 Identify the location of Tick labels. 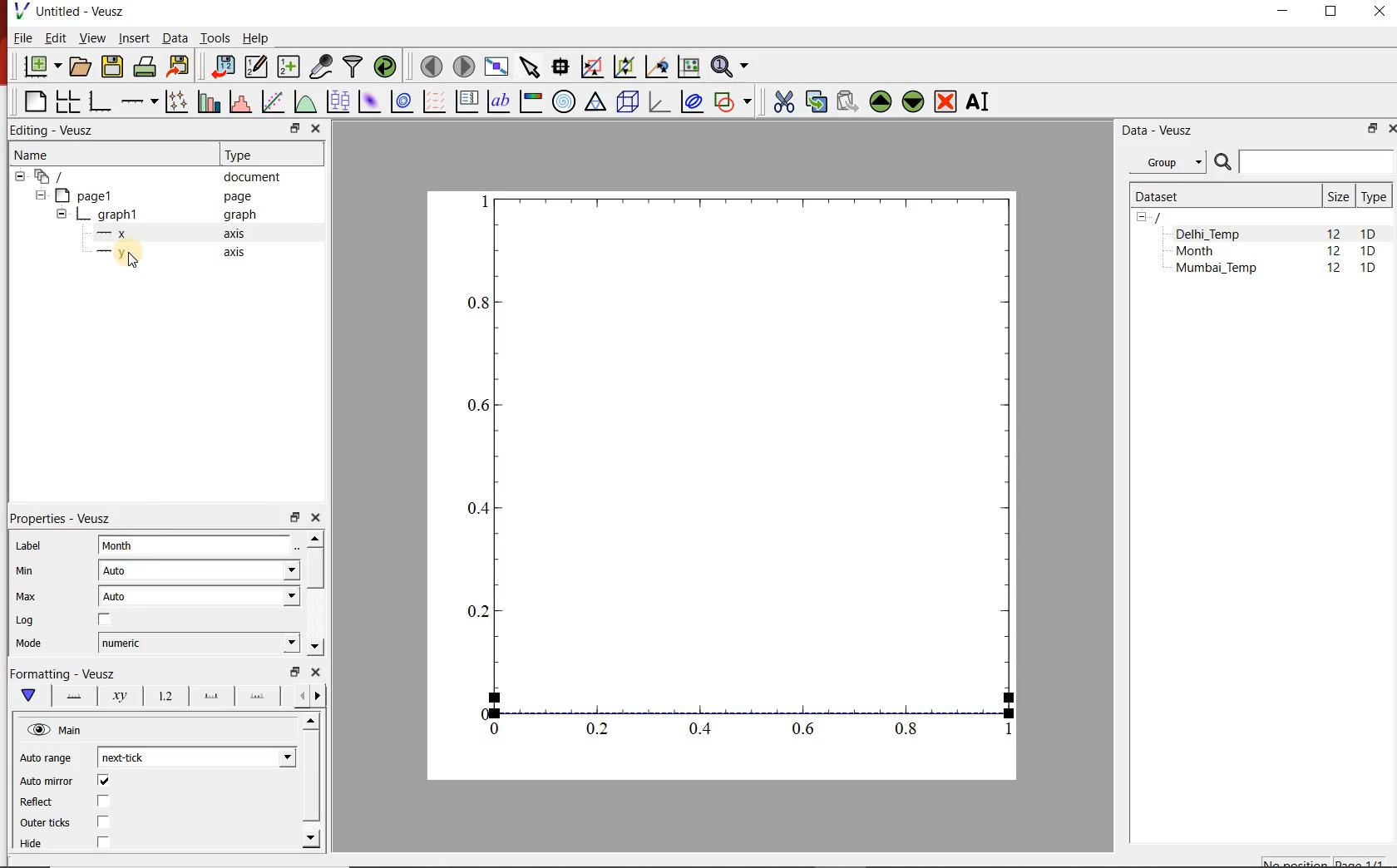
(164, 693).